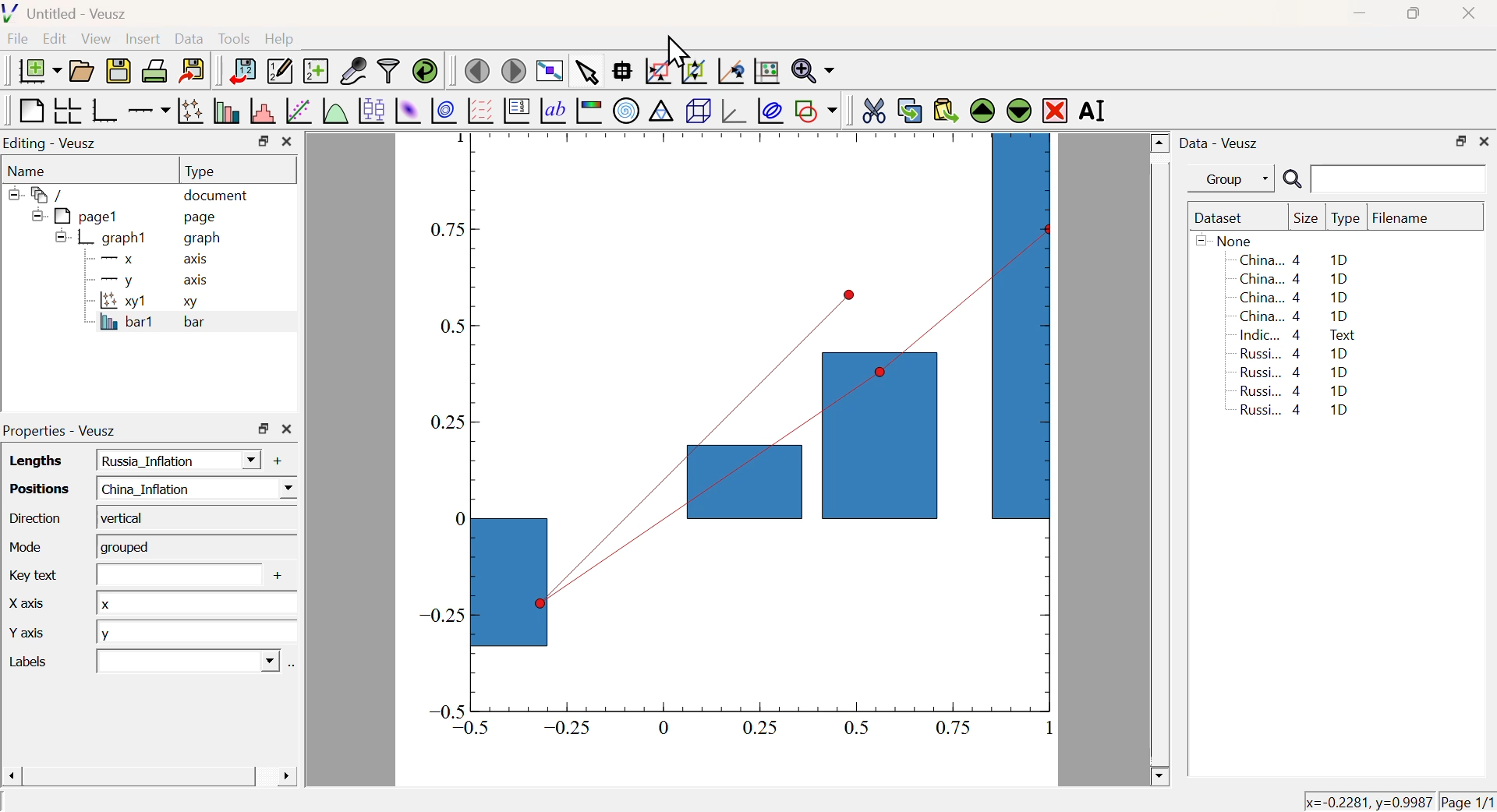 The height and width of the screenshot is (812, 1497). Describe the element at coordinates (1294, 259) in the screenshot. I see `China... 4 1D` at that location.